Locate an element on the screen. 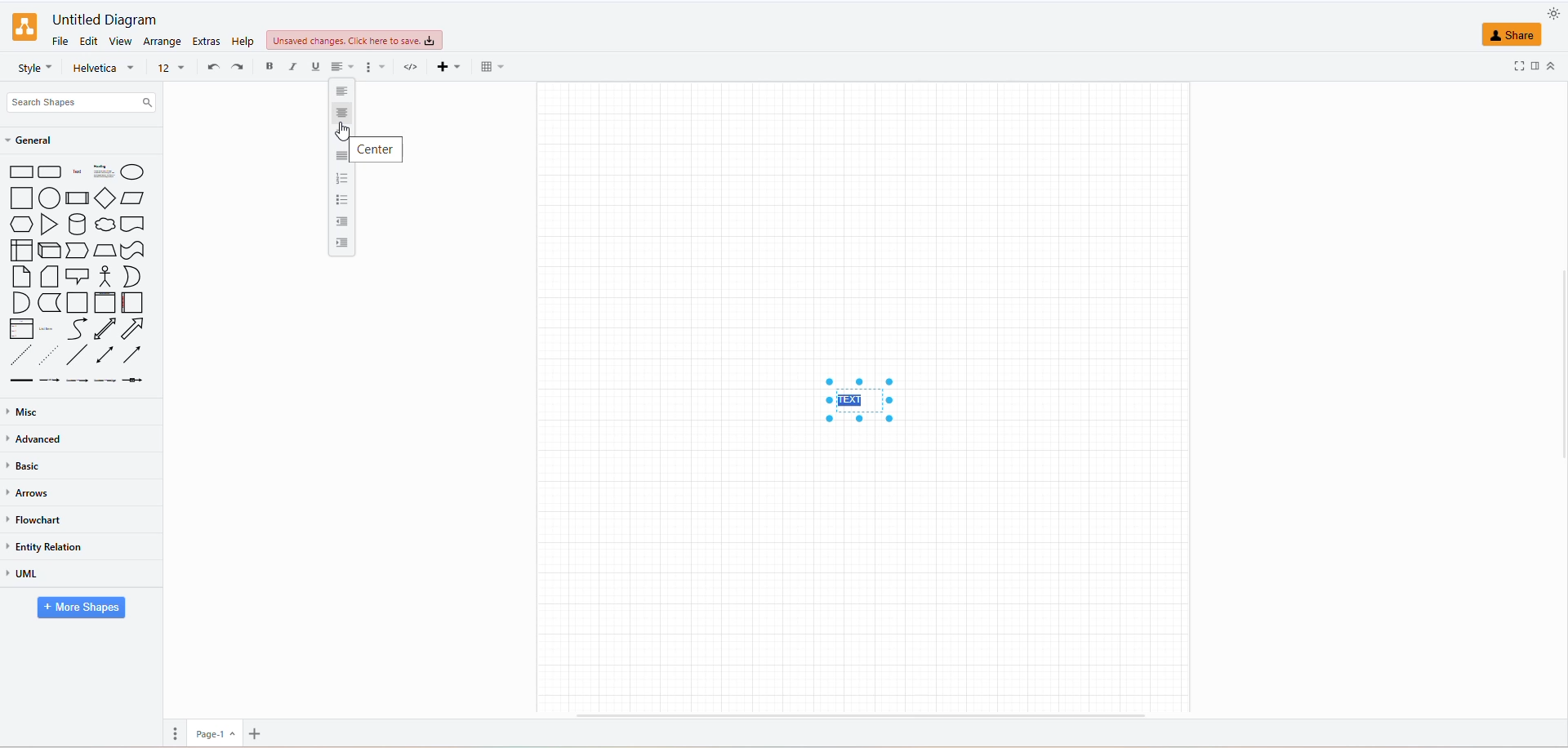 The image size is (1568, 748). left align is located at coordinates (341, 91).